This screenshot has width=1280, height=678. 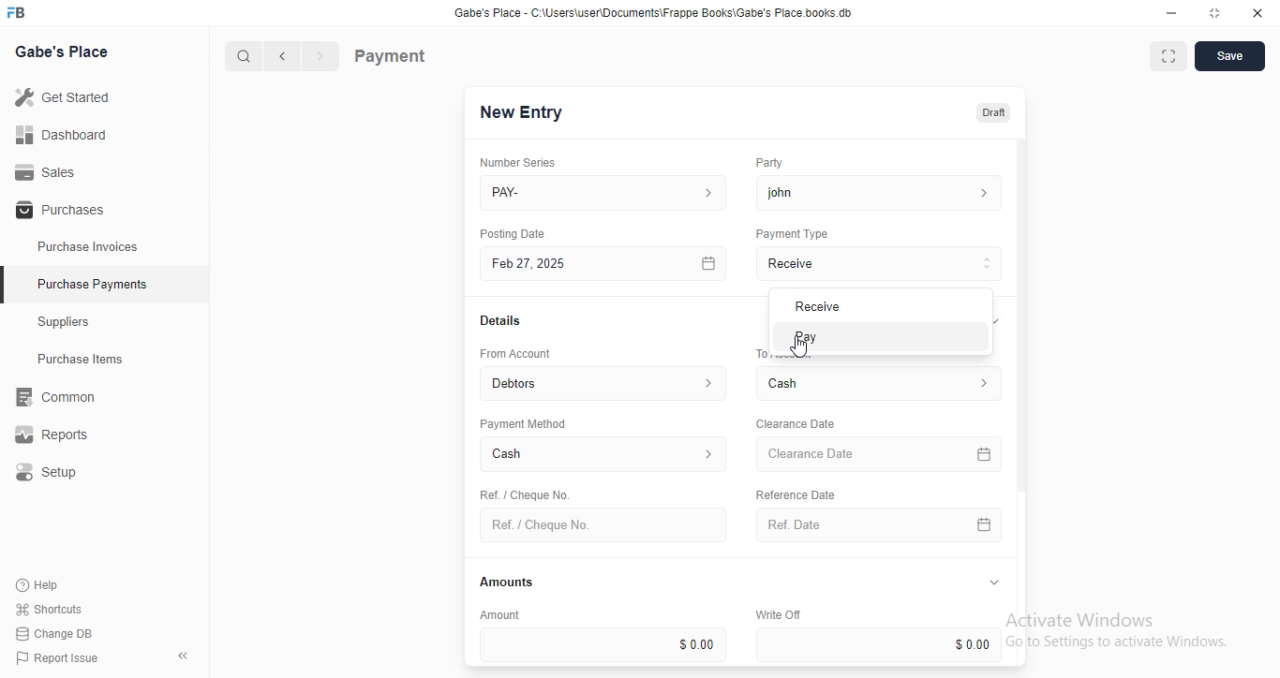 What do you see at coordinates (91, 284) in the screenshot?
I see `Purchase Payments` at bounding box center [91, 284].